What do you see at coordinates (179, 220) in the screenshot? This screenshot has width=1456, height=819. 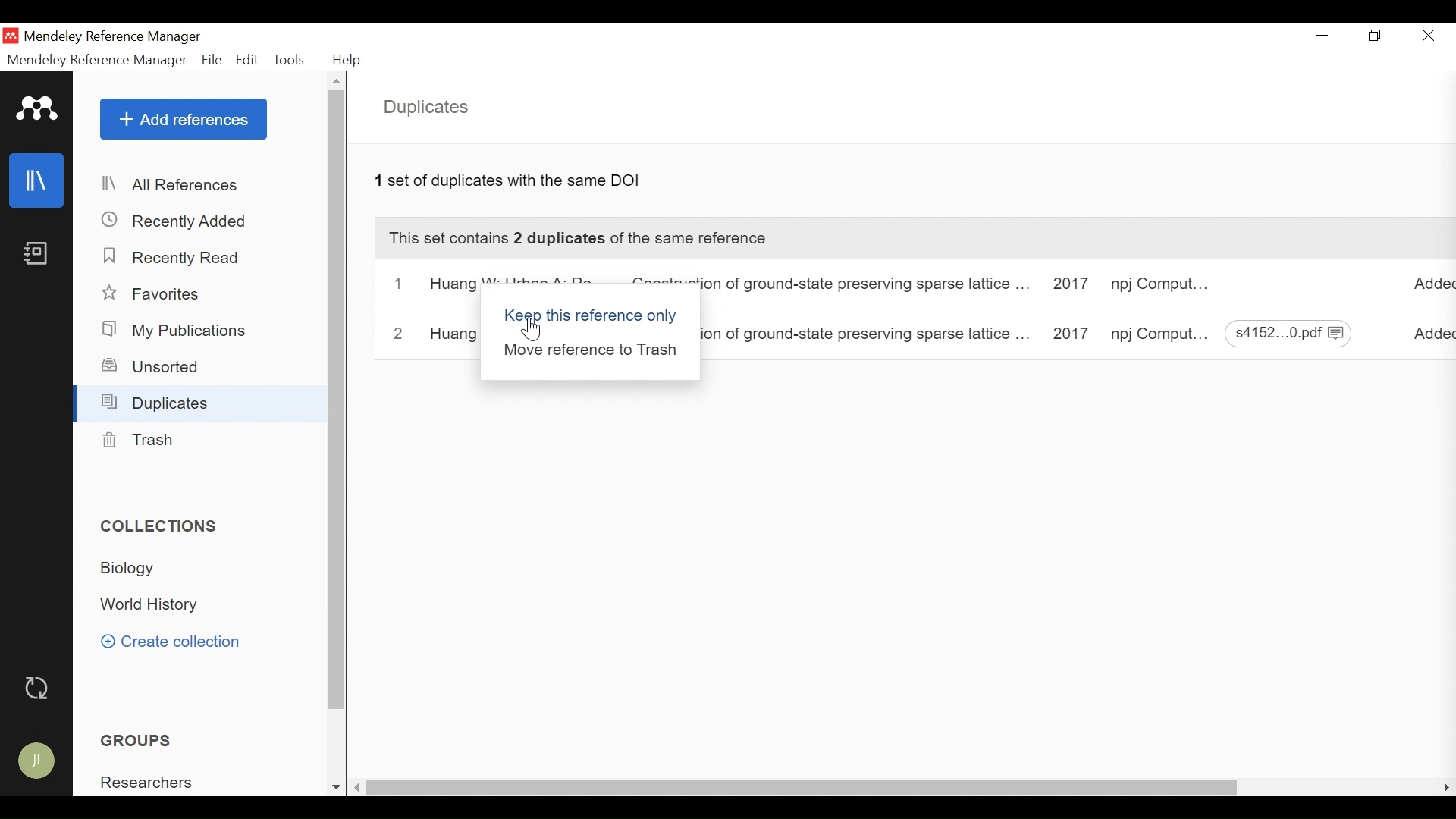 I see `Recently Added` at bounding box center [179, 220].